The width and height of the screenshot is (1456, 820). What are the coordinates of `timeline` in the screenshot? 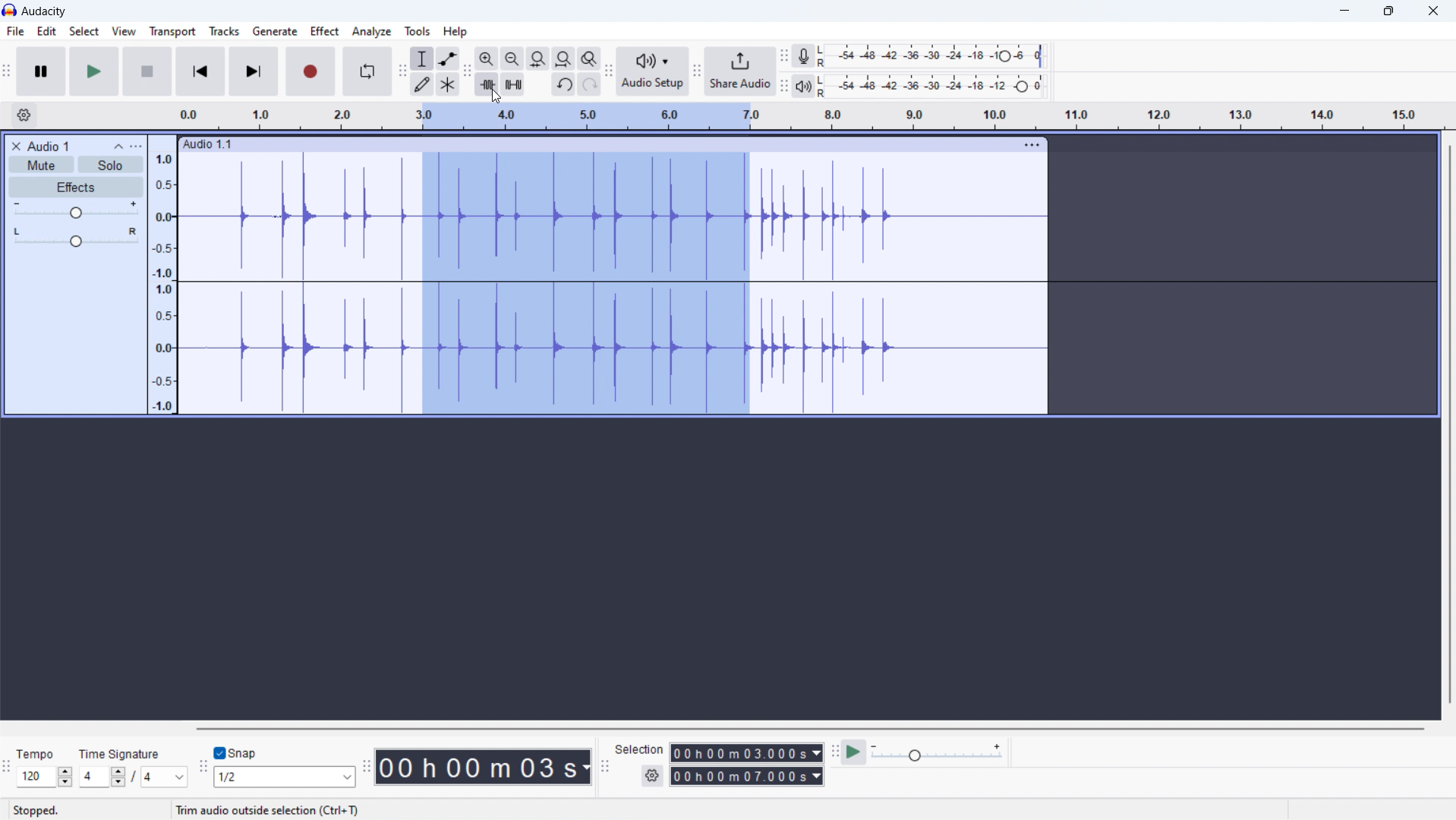 It's located at (811, 116).